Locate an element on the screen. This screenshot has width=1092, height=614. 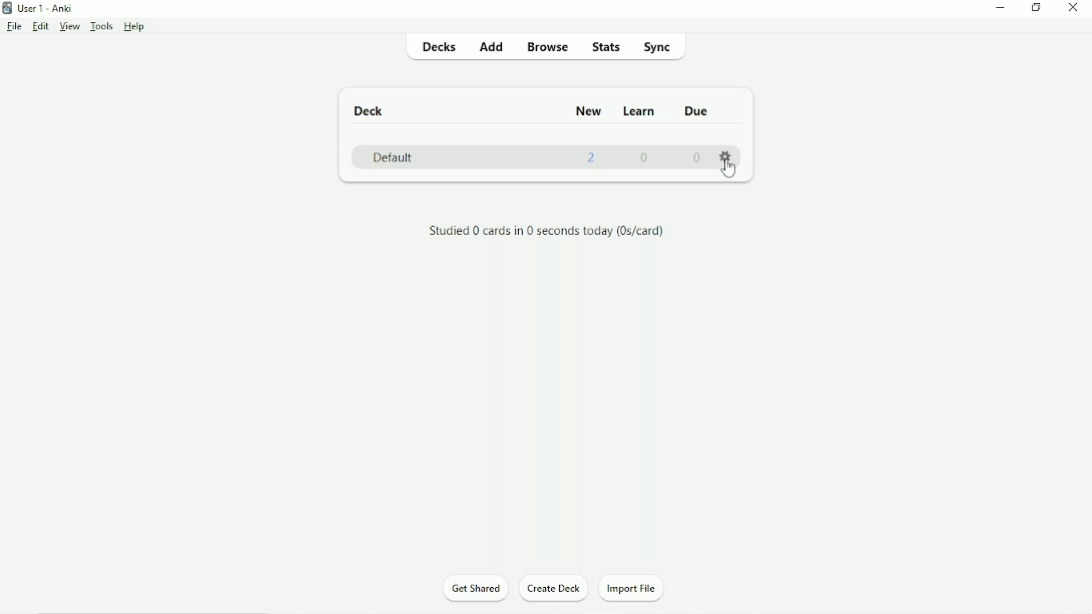
Create Deck is located at coordinates (555, 589).